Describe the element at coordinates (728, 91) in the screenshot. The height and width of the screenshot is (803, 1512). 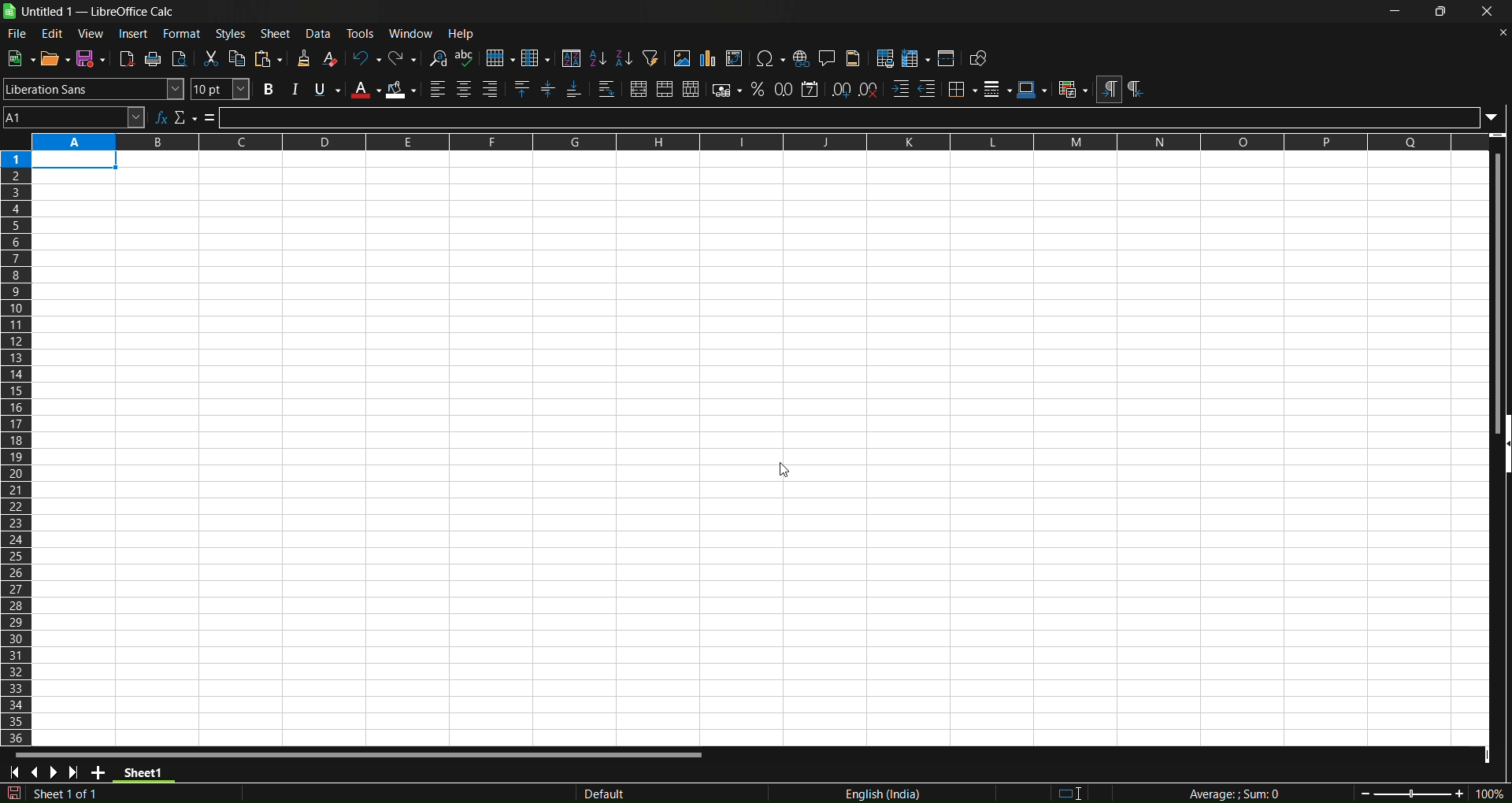
I see `format as currency` at that location.